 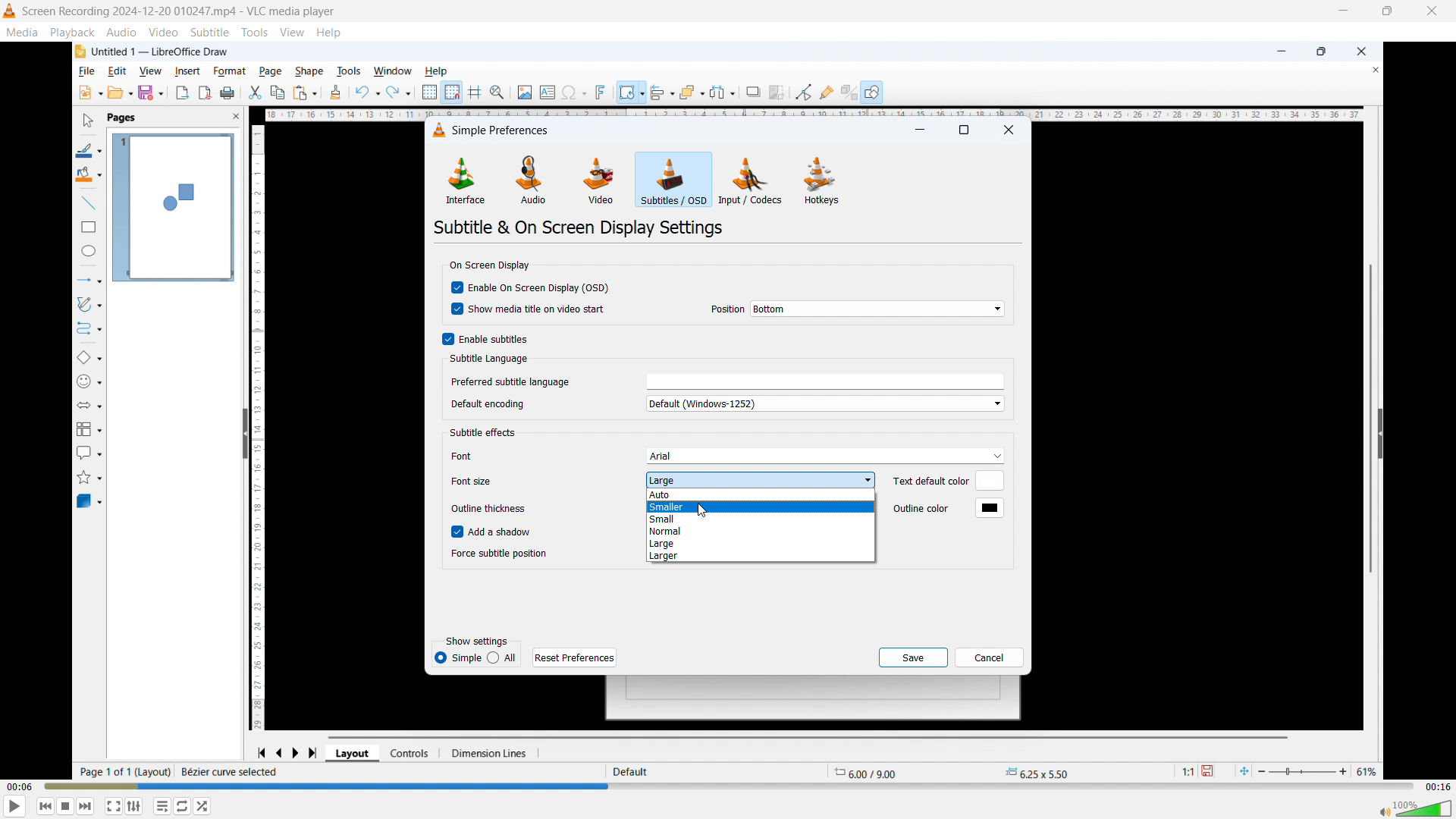 I want to click on Sound bar , so click(x=1411, y=808).